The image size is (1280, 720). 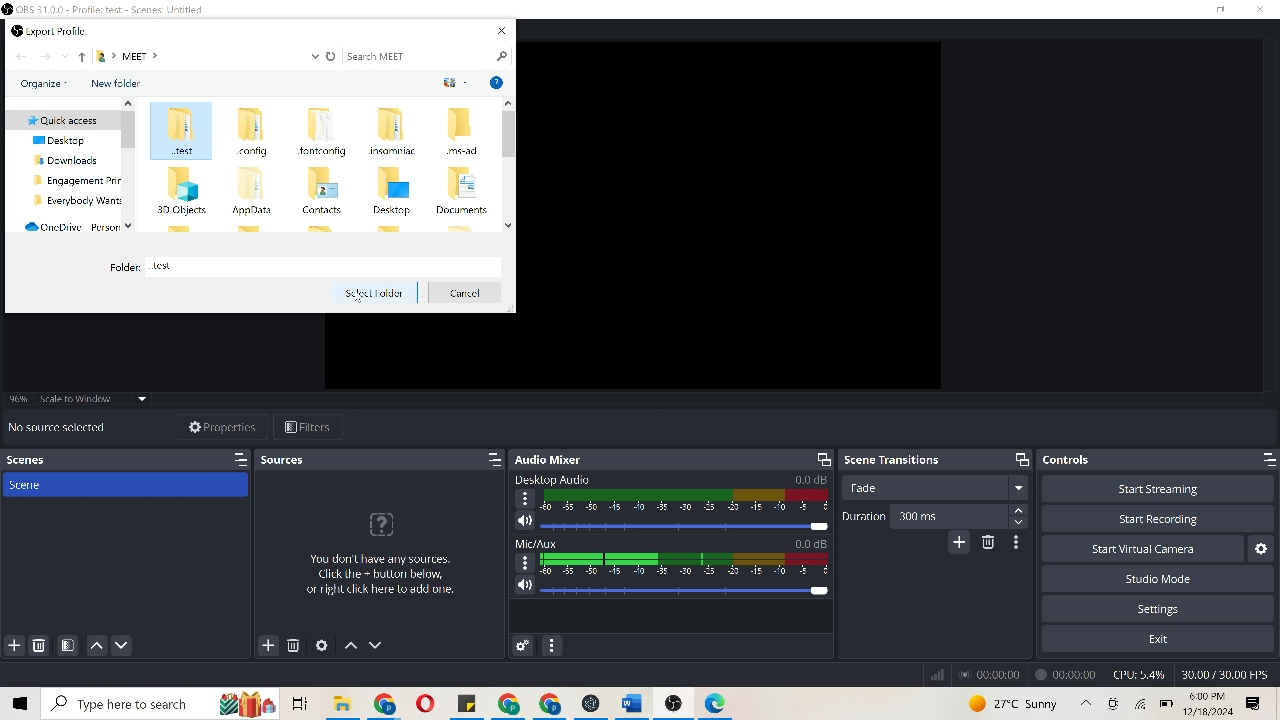 I want to click on 300 ms, so click(x=964, y=517).